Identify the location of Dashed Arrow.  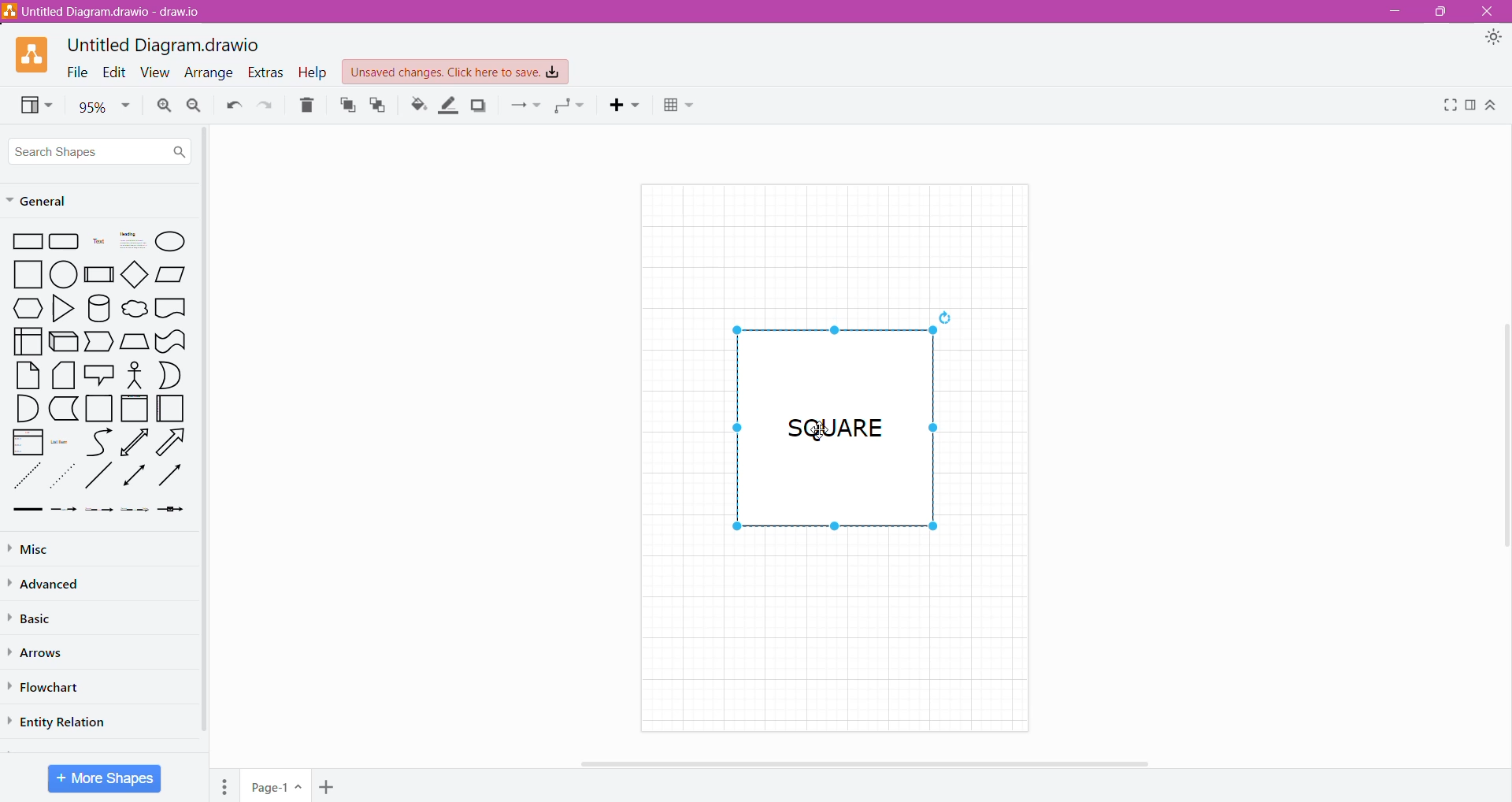
(63, 513).